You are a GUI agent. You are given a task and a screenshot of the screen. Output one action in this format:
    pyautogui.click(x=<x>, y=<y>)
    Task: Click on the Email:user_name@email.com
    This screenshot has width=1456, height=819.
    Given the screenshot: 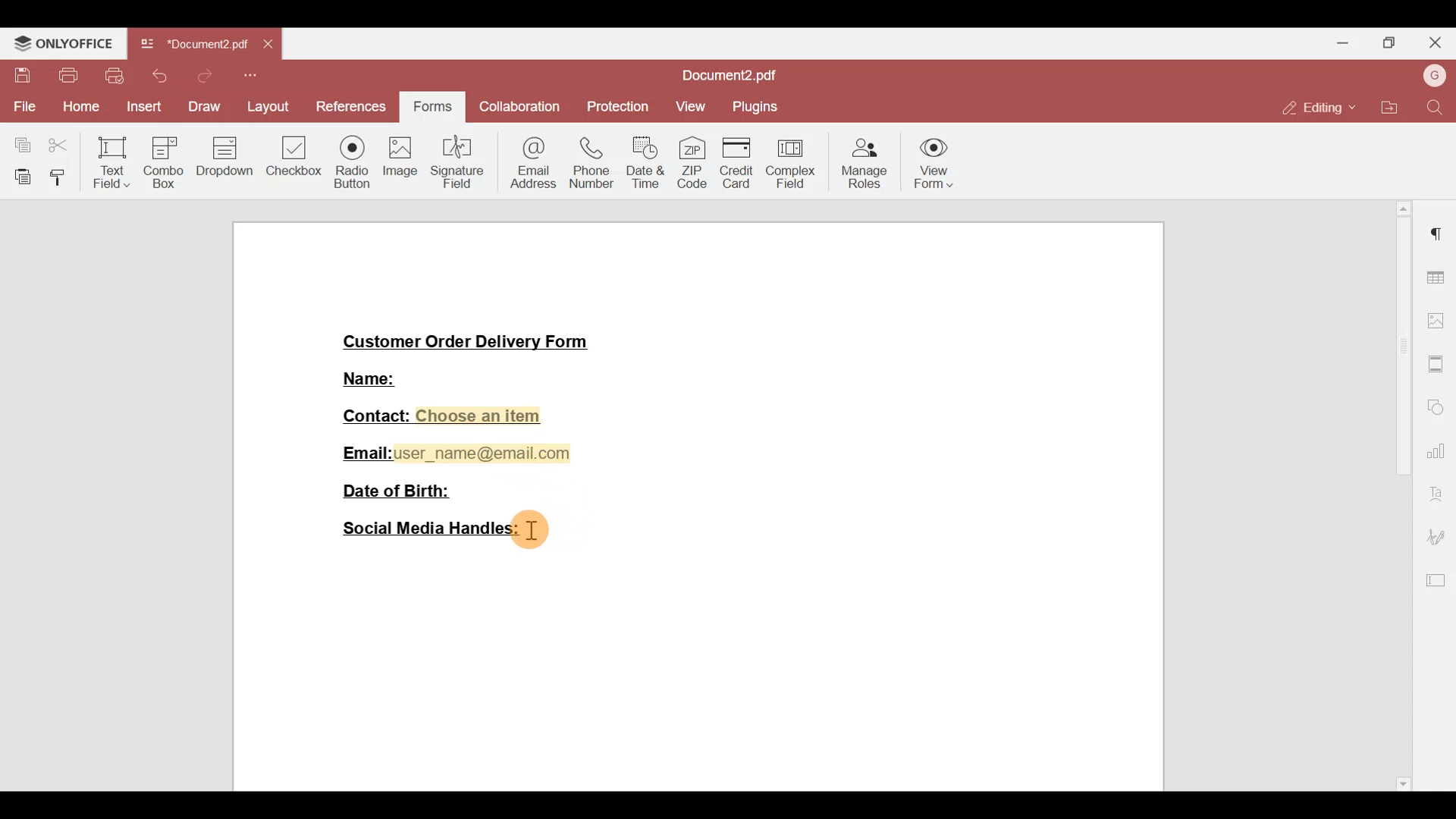 What is the action you would take?
    pyautogui.click(x=450, y=452)
    